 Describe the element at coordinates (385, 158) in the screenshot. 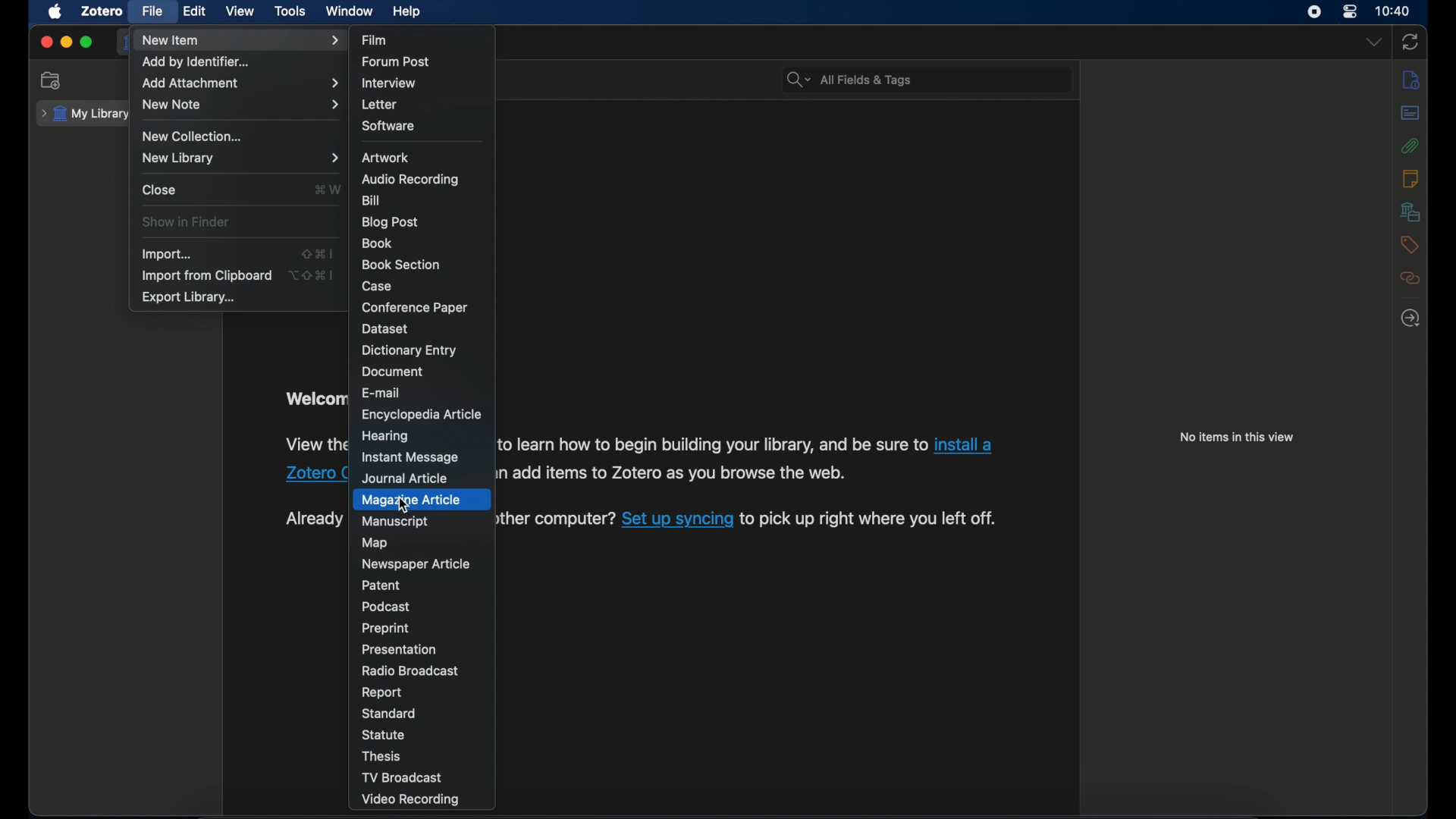

I see `artwork` at that location.